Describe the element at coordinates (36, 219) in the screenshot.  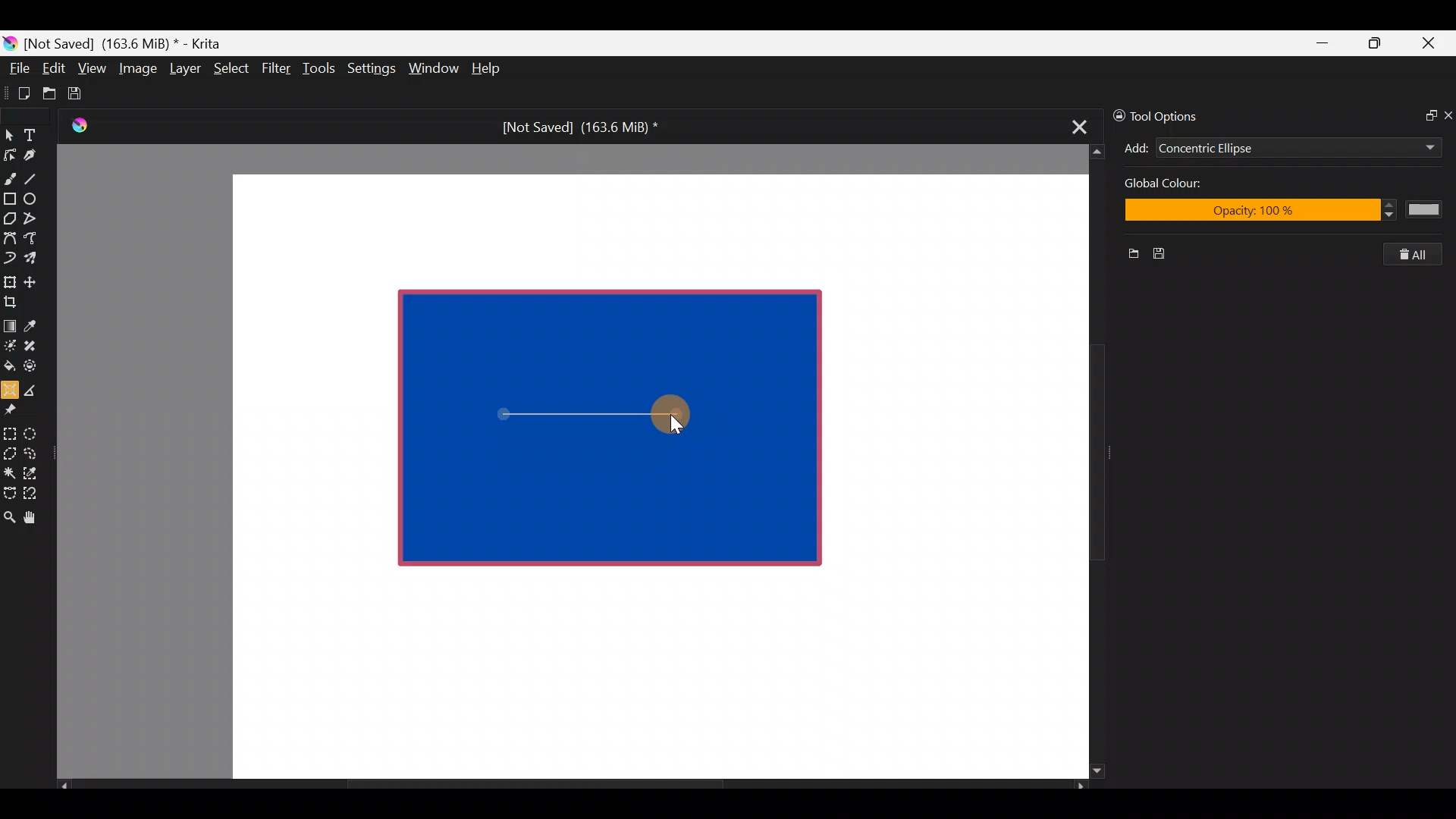
I see `Polyline tool` at that location.